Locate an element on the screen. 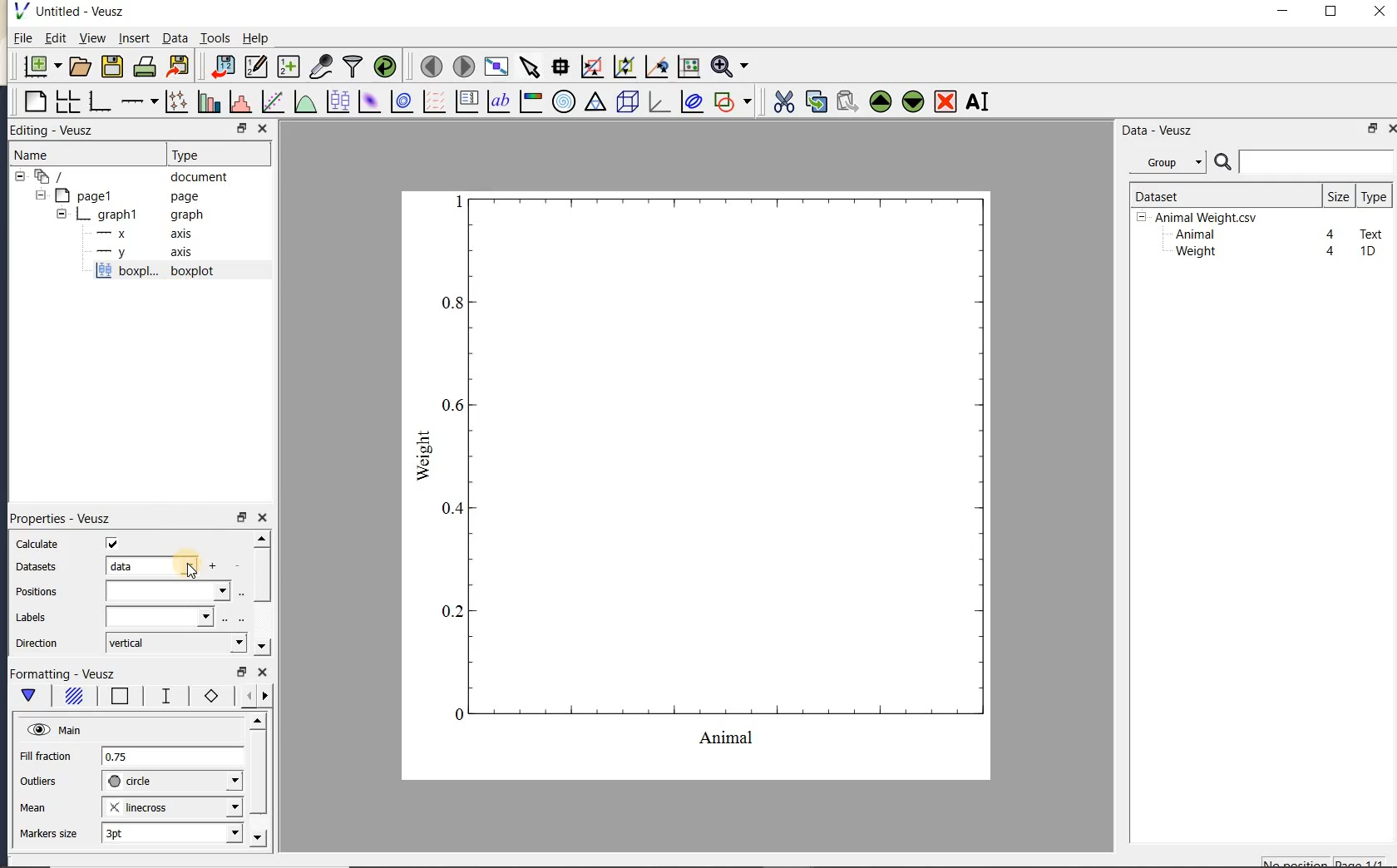 This screenshot has width=1397, height=868. boxplot is located at coordinates (174, 273).